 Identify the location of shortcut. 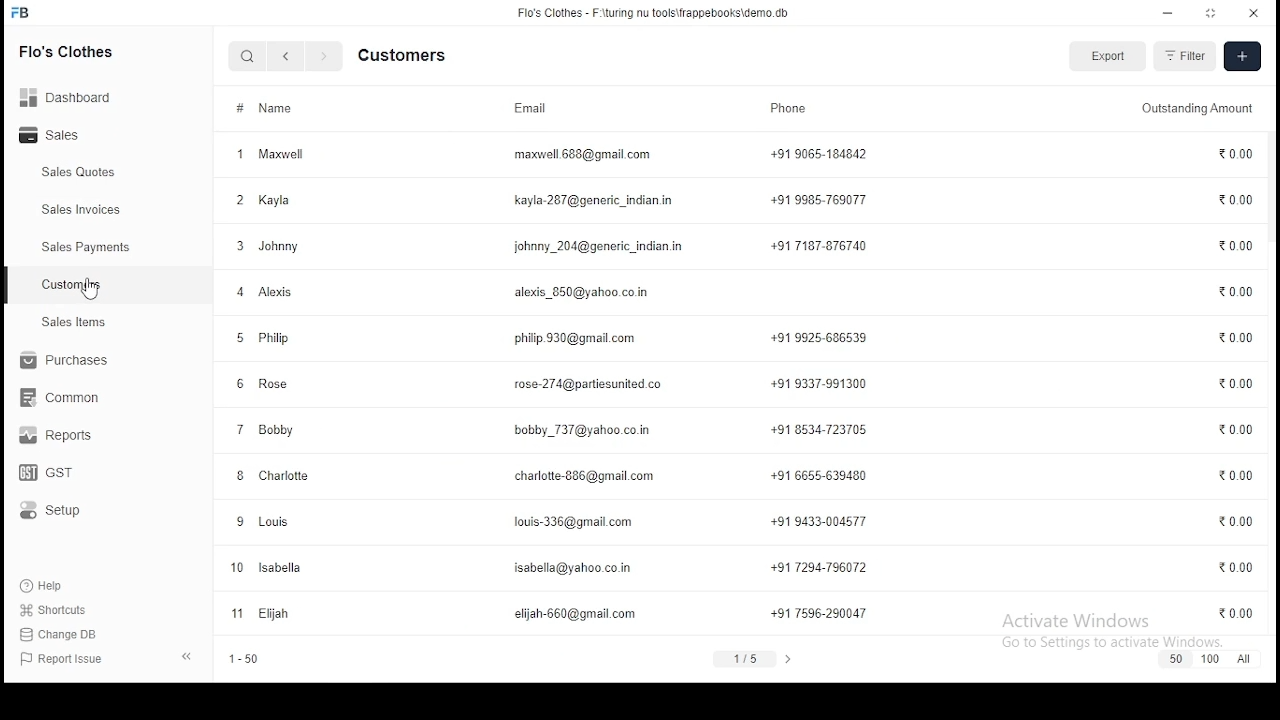
(59, 611).